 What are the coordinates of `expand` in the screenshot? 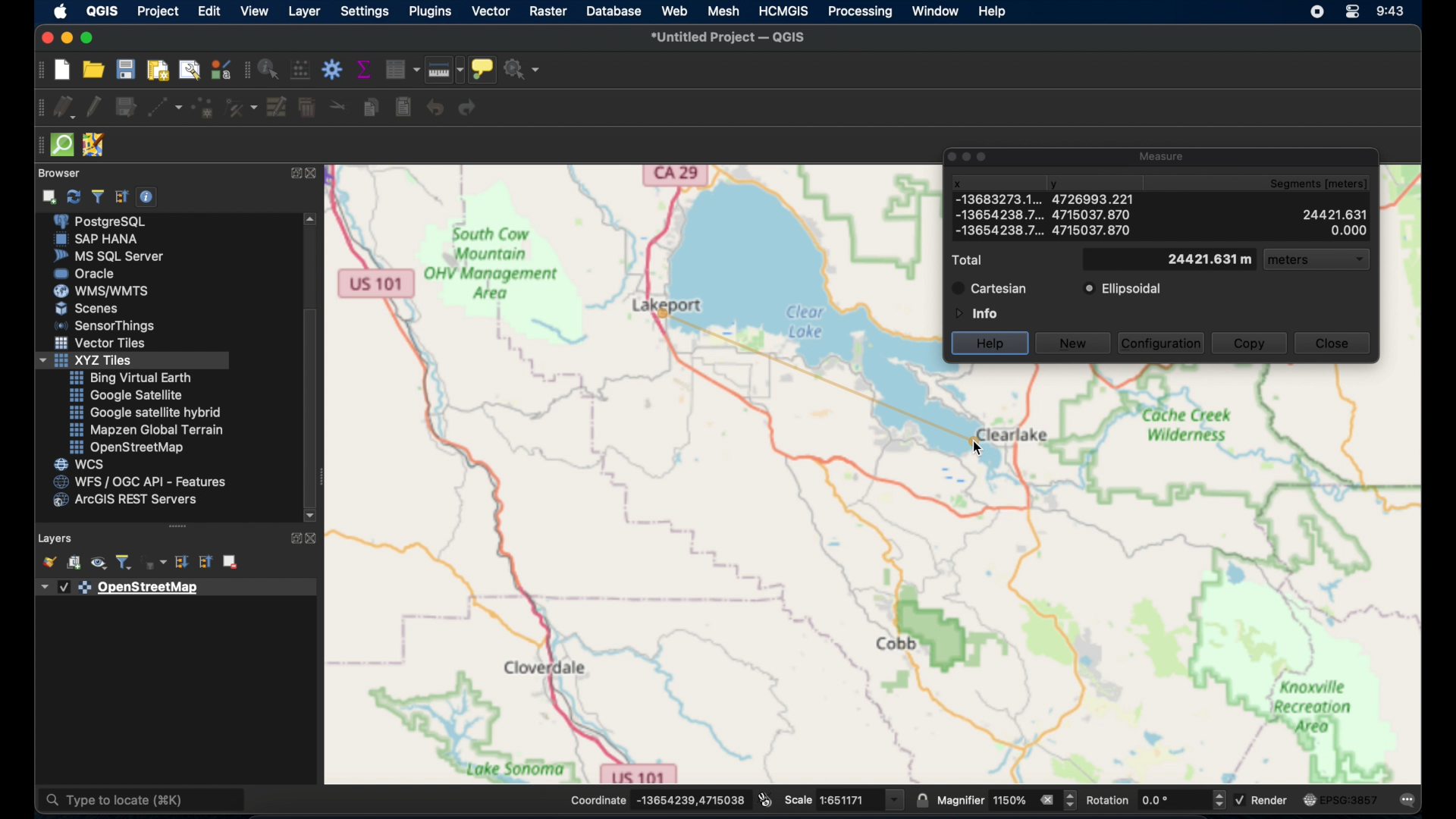 It's located at (293, 174).